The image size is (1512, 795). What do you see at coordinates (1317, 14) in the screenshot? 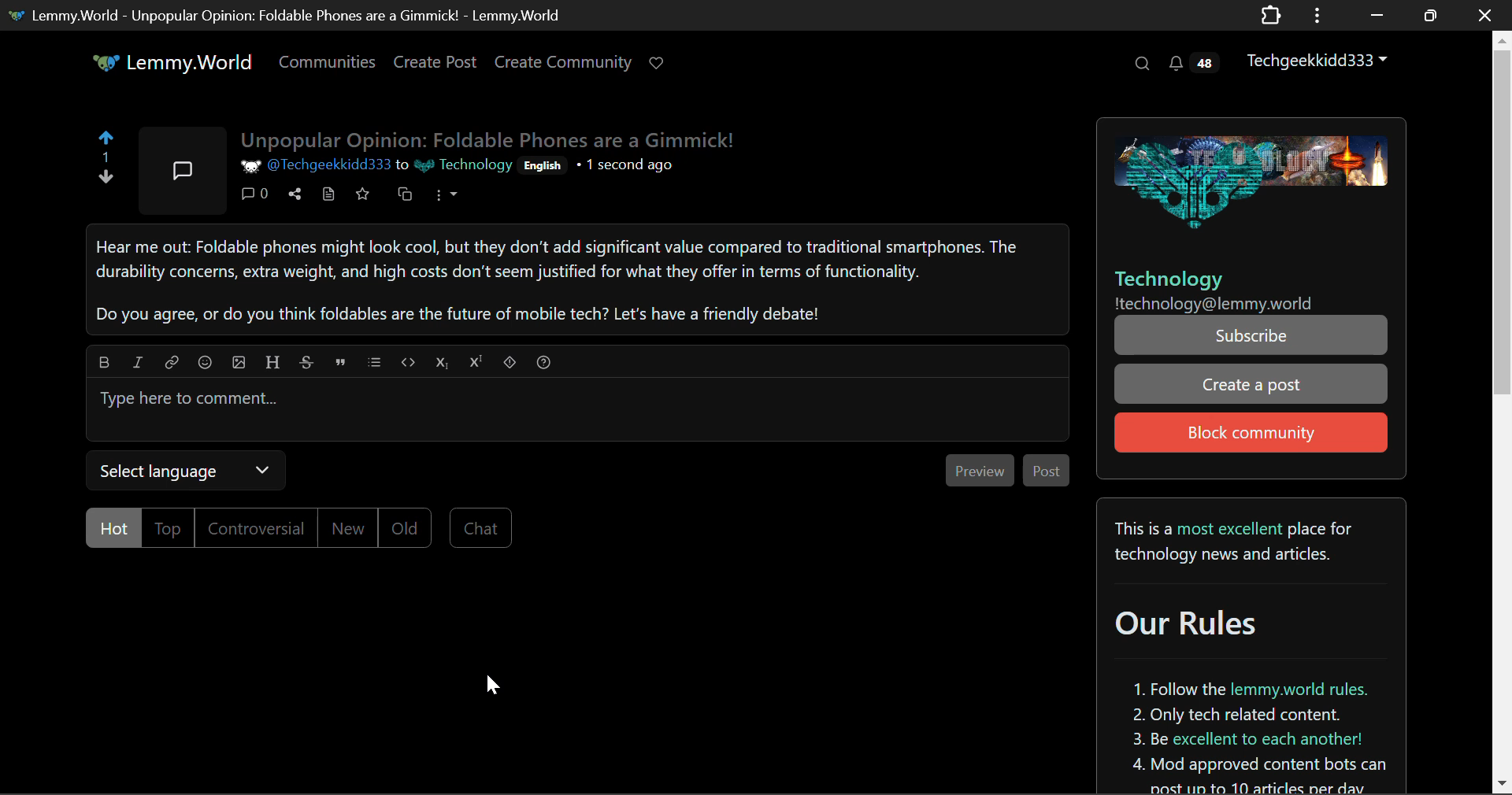
I see `Application Options Menu` at bounding box center [1317, 14].